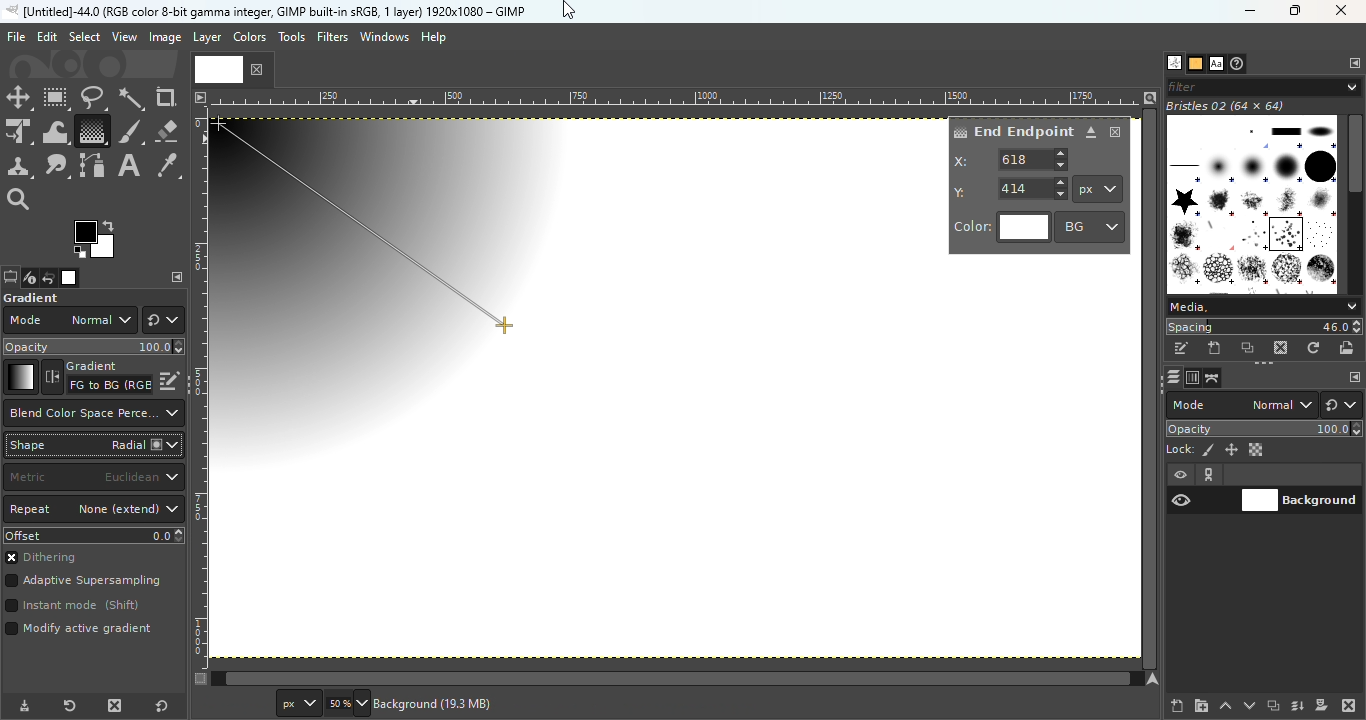  Describe the element at coordinates (1098, 189) in the screenshot. I see `Ruler measurement` at that location.